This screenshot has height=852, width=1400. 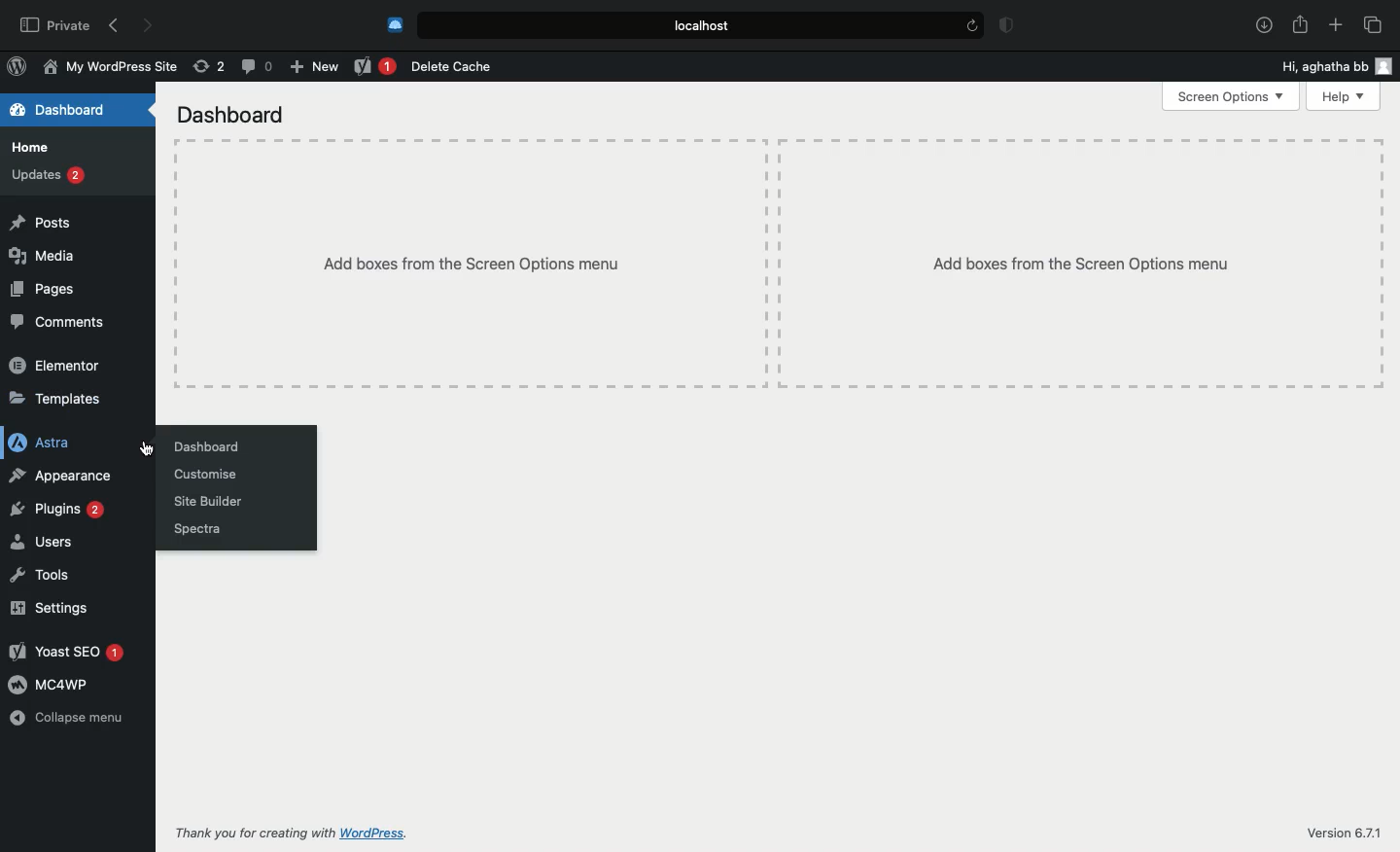 I want to click on Comment (0), so click(x=258, y=65).